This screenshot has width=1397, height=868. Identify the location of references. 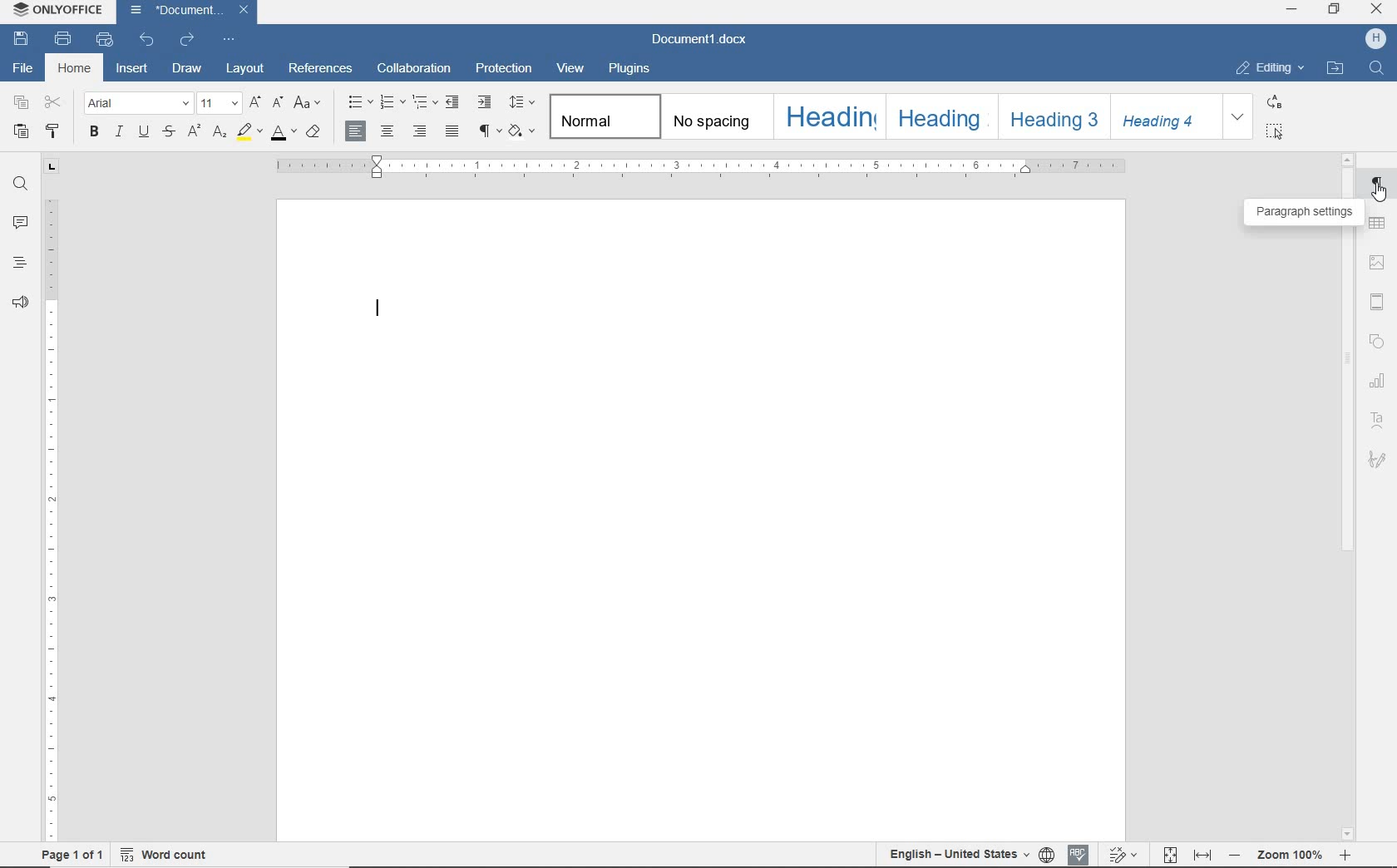
(321, 67).